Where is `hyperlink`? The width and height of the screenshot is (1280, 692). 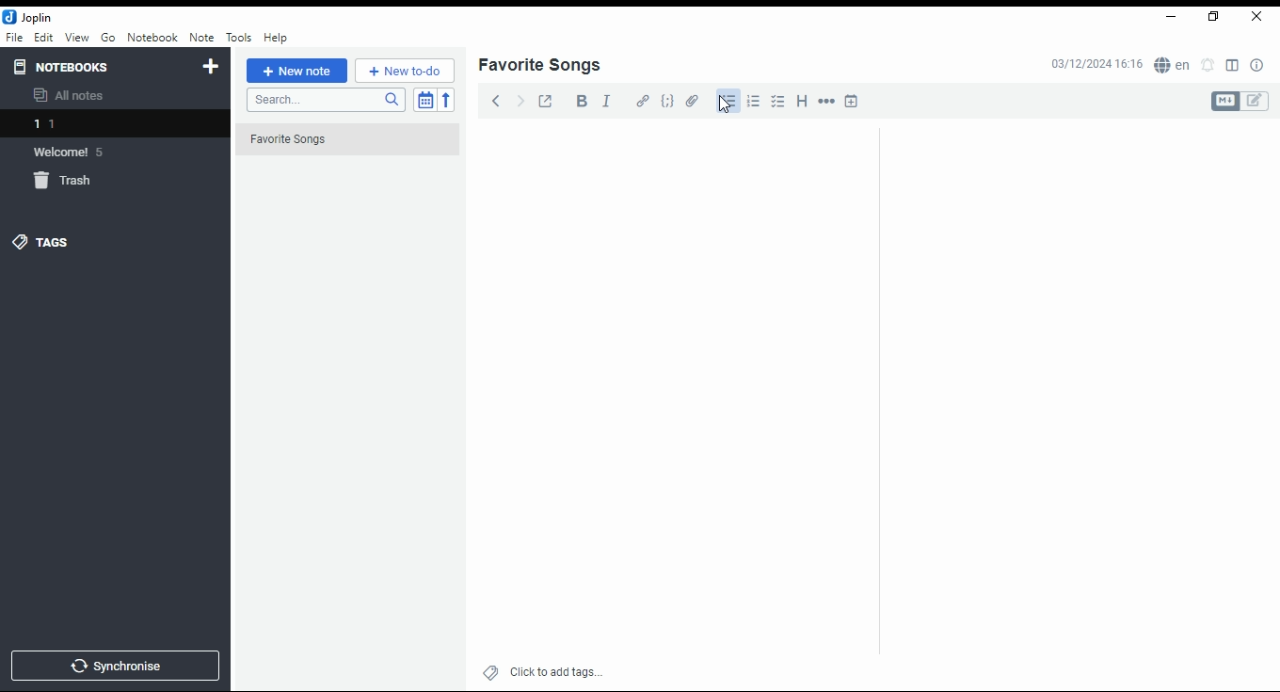
hyperlink is located at coordinates (643, 100).